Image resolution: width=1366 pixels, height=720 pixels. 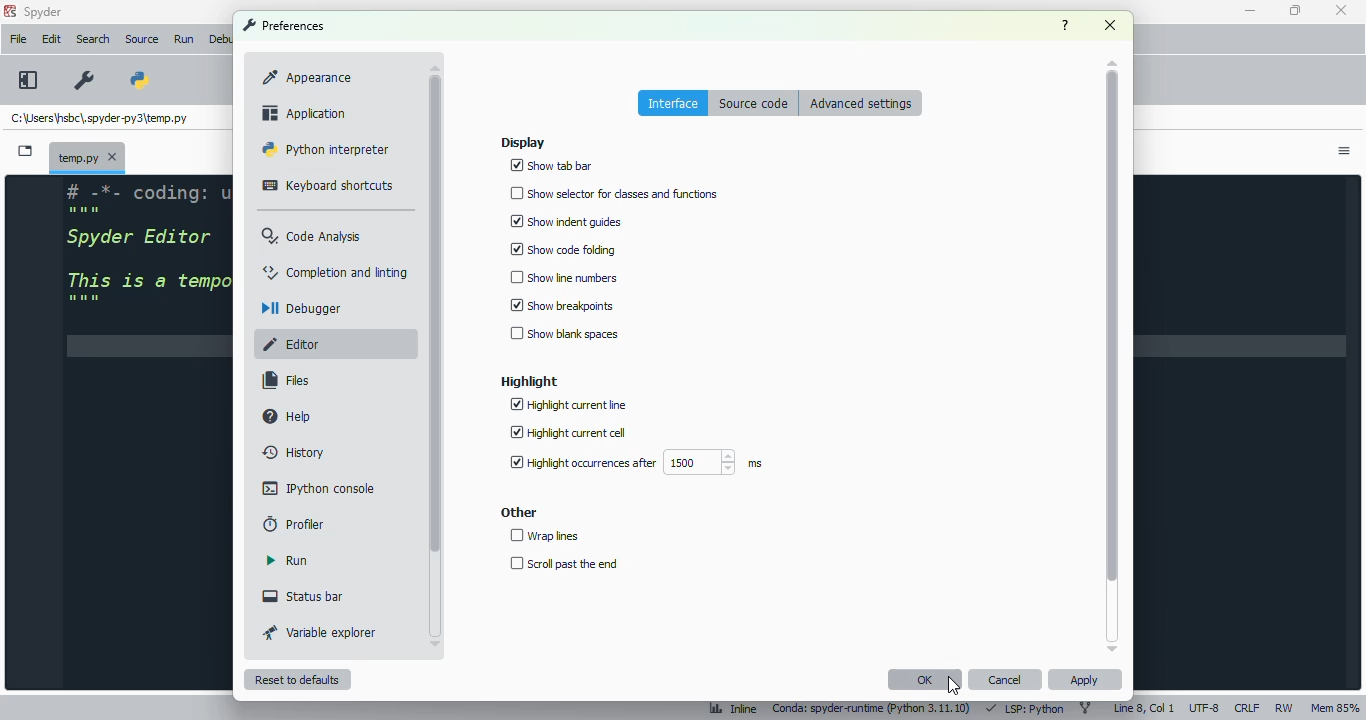 What do you see at coordinates (432, 316) in the screenshot?
I see `scrollbar` at bounding box center [432, 316].